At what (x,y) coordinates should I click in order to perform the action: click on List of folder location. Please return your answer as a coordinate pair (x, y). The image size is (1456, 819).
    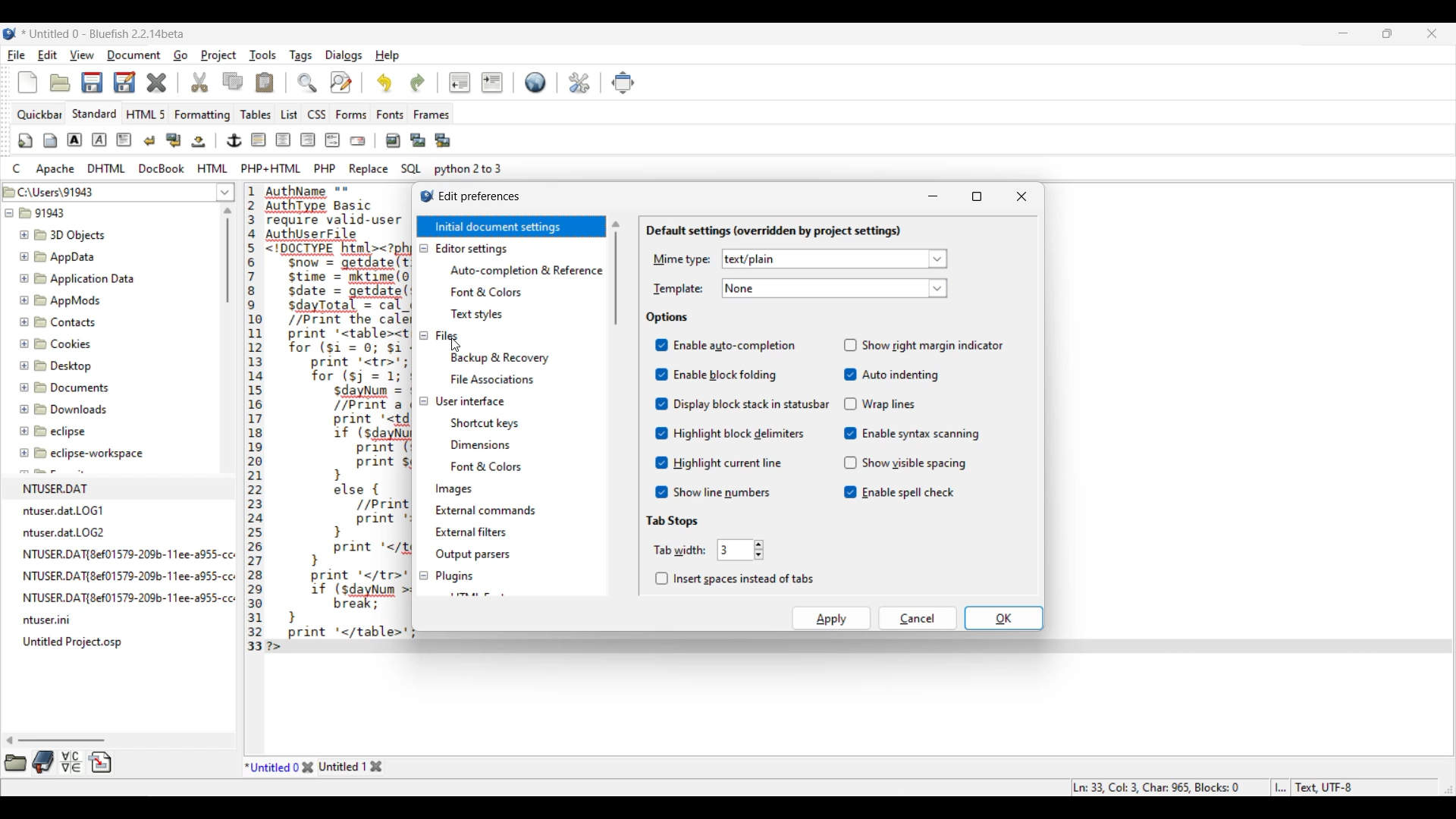
    Looking at the image, I should click on (225, 192).